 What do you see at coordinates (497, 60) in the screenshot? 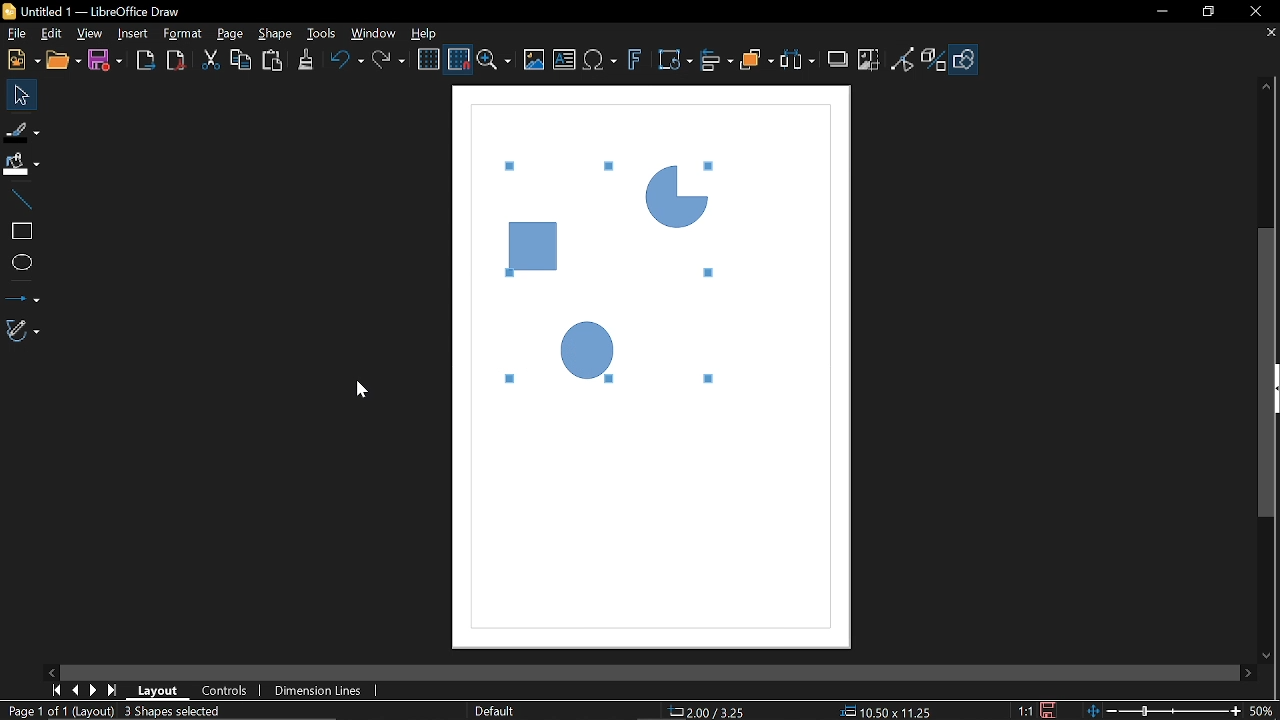
I see `Zoom` at bounding box center [497, 60].